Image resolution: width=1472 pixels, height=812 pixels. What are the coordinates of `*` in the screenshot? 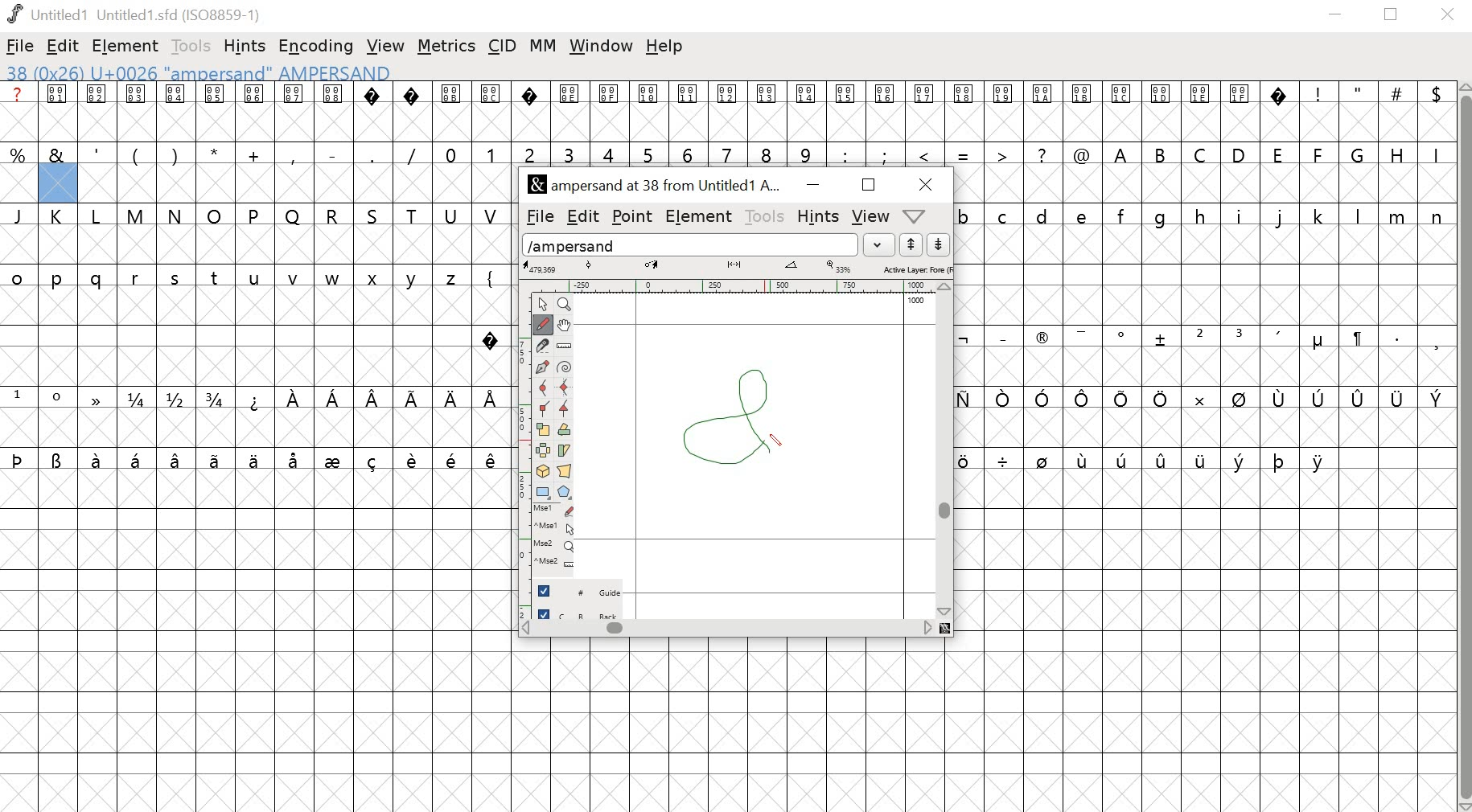 It's located at (215, 154).